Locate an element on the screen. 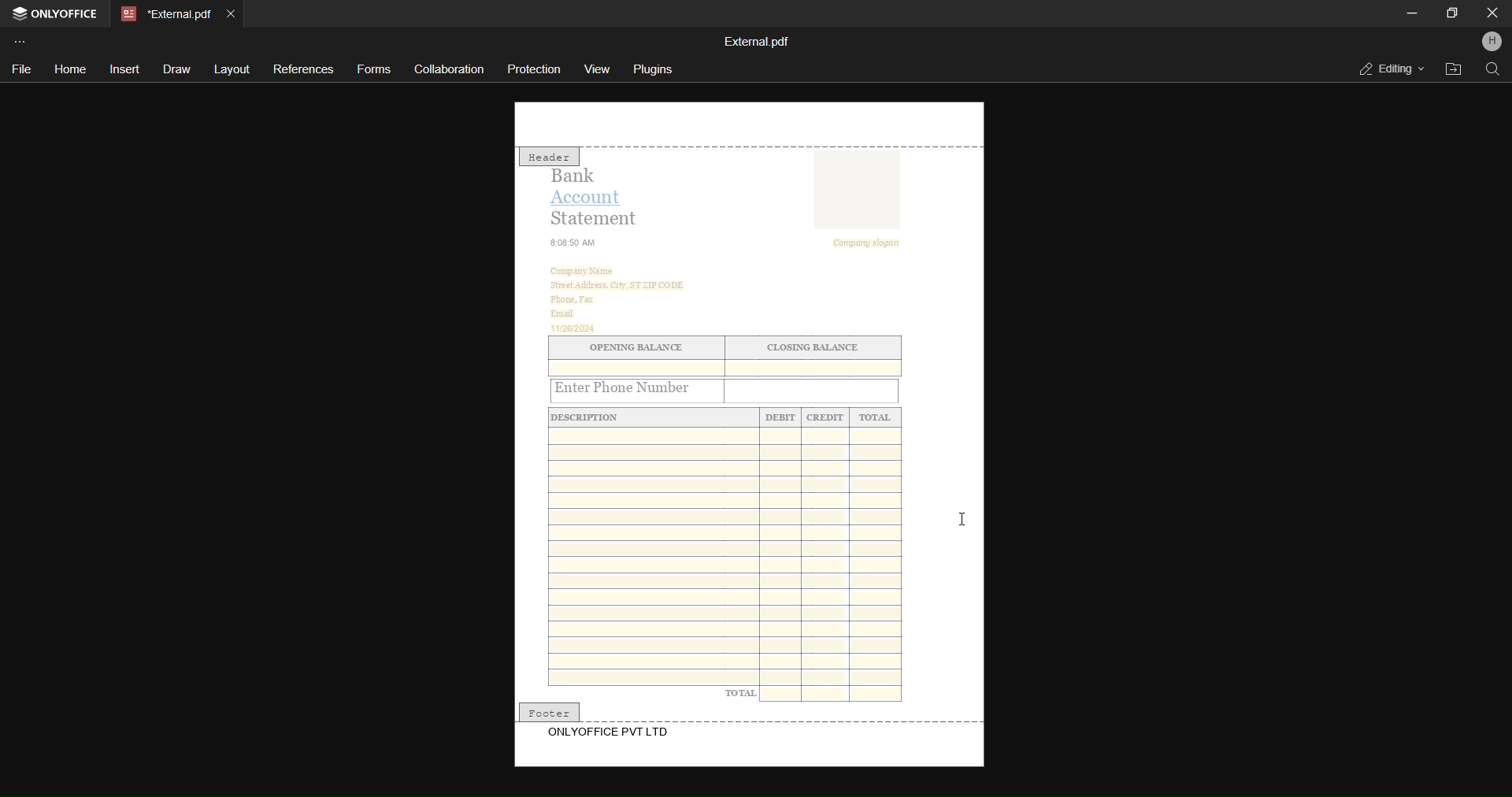 This screenshot has width=1512, height=797. added footer text is located at coordinates (612, 733).